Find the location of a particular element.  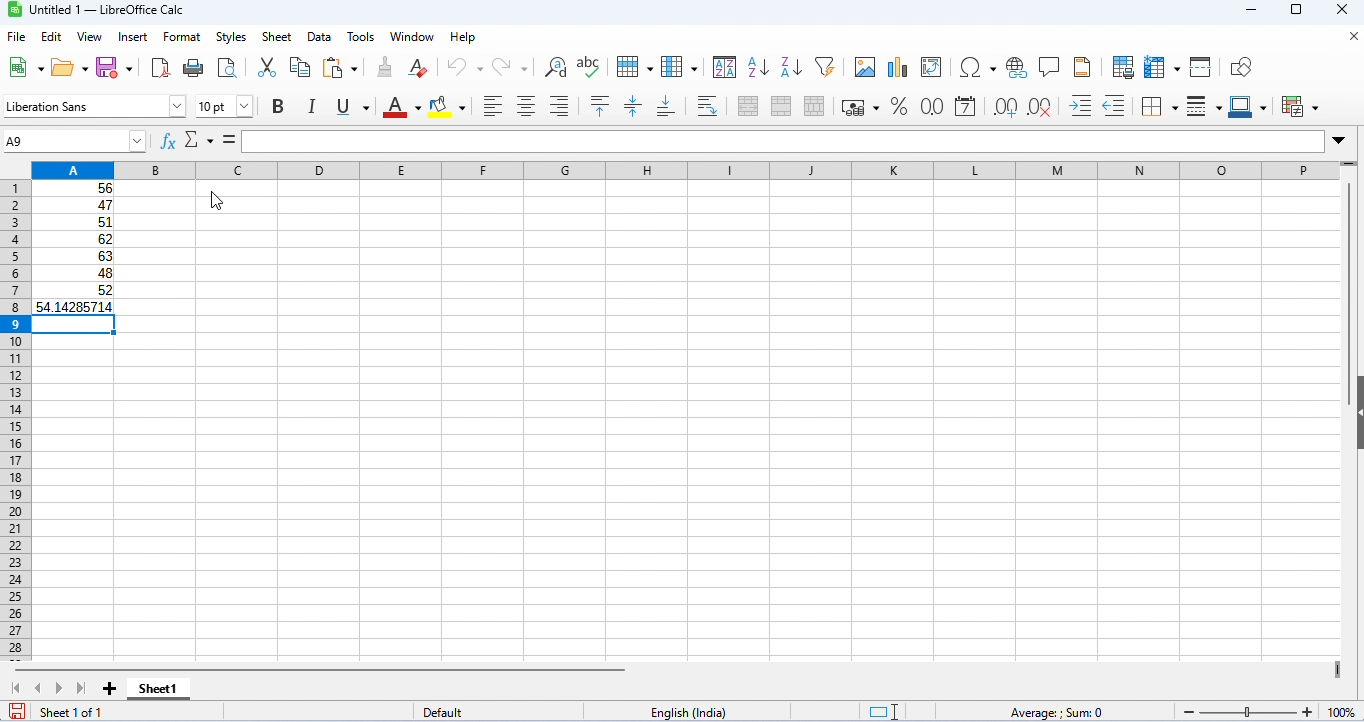

background color is located at coordinates (448, 105).